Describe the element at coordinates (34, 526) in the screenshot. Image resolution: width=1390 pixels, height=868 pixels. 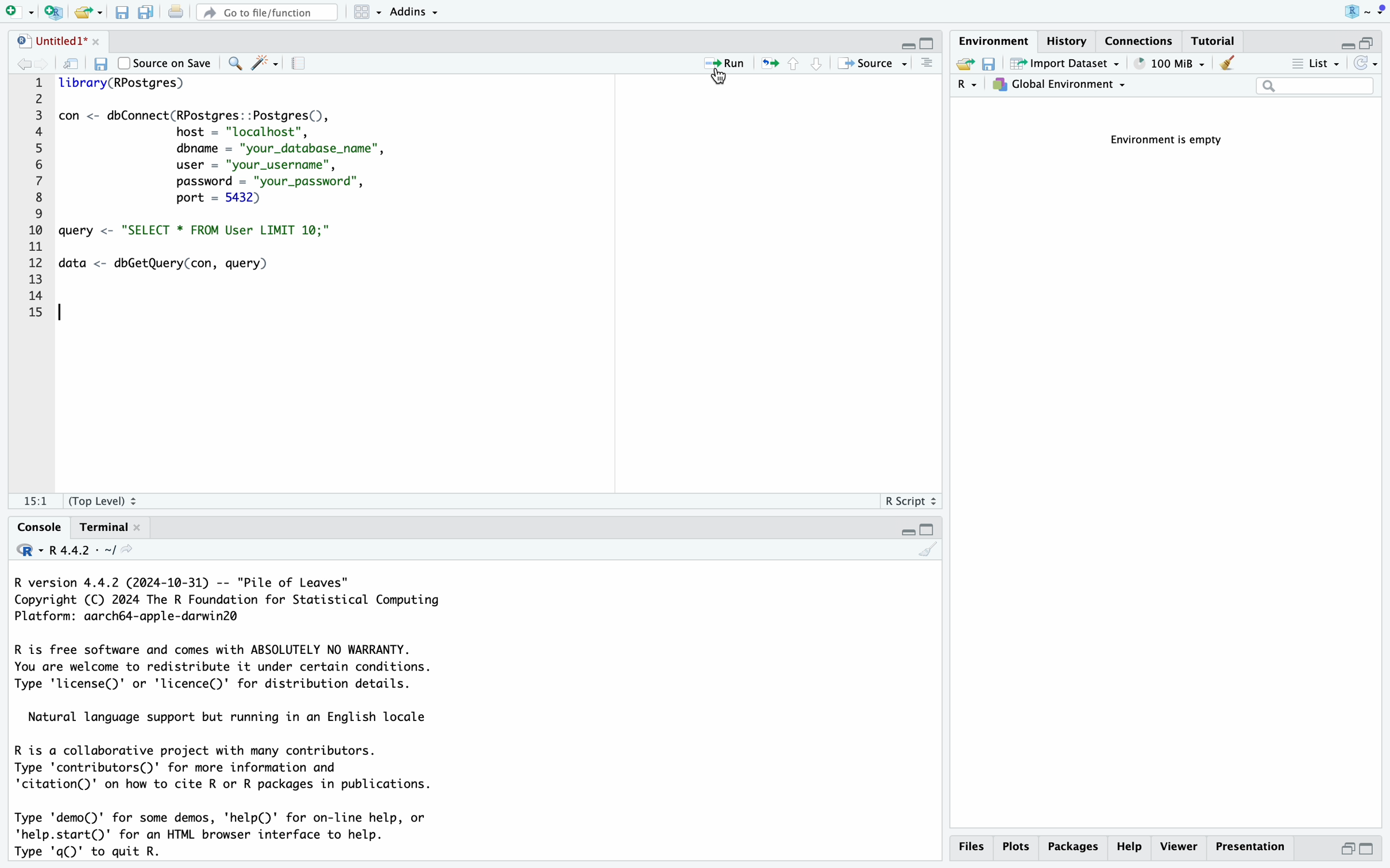
I see `console` at that location.